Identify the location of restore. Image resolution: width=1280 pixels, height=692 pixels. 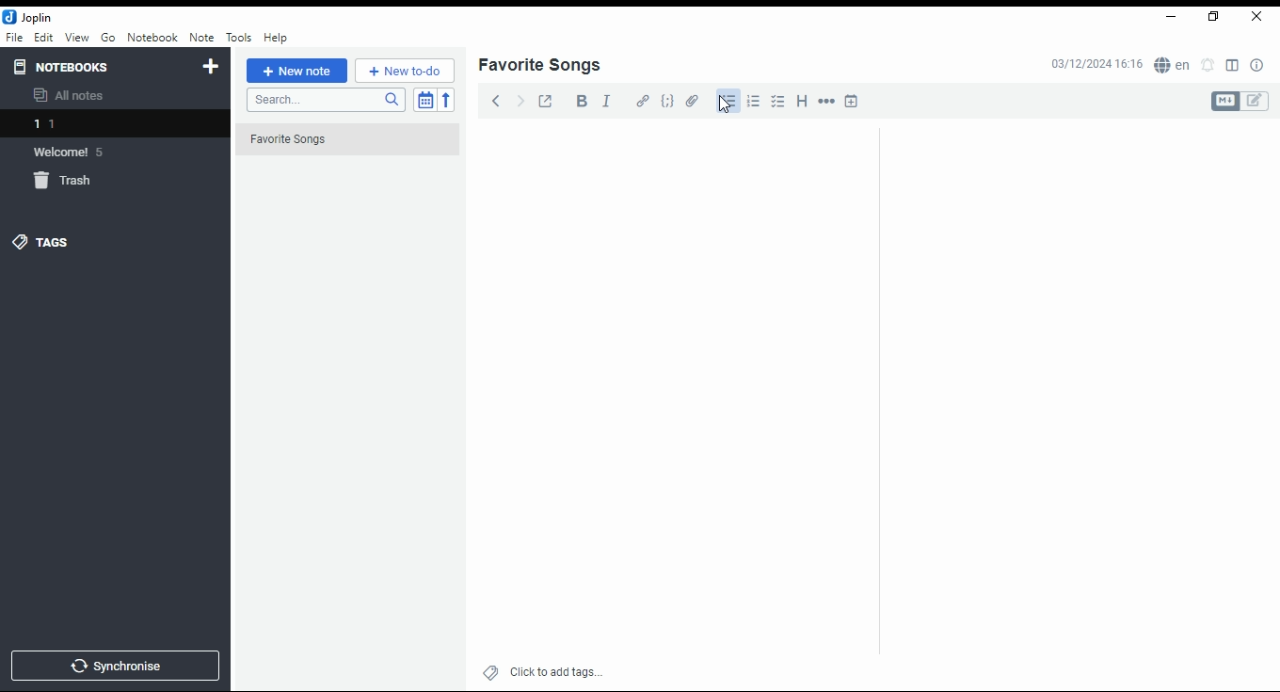
(1216, 17).